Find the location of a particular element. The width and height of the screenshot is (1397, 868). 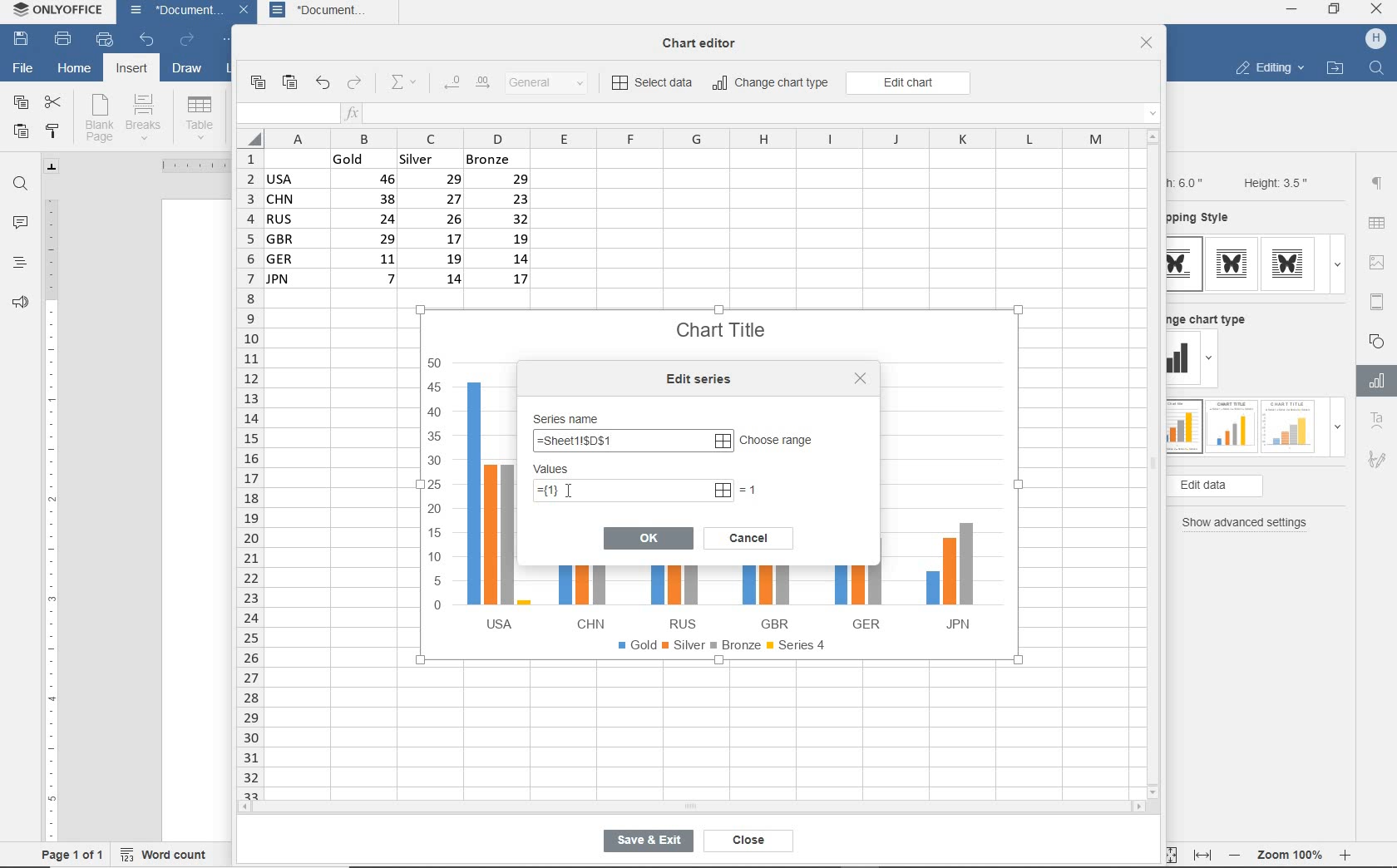

zoom 100% is located at coordinates (1293, 852).